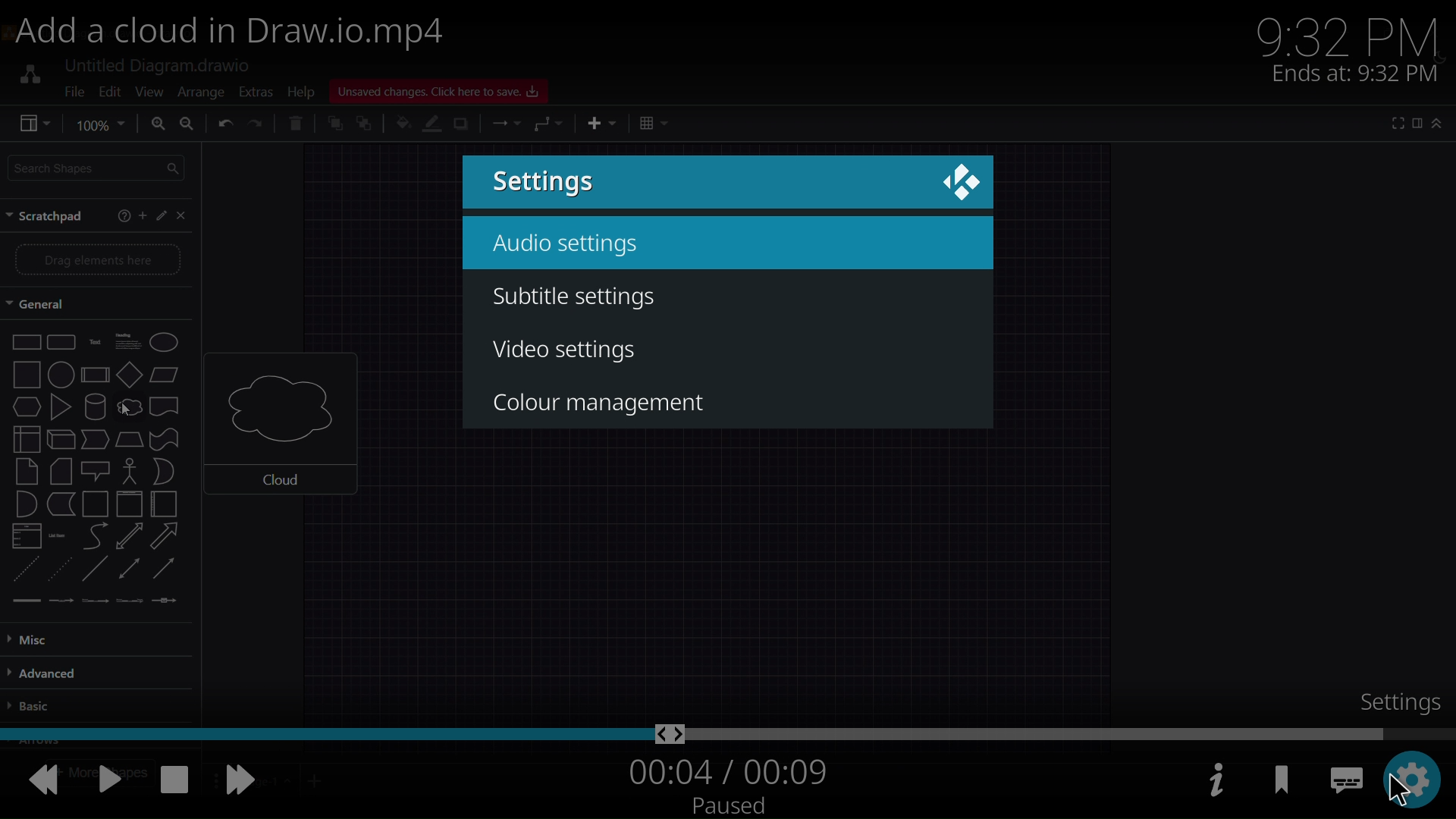 This screenshot has height=819, width=1456. What do you see at coordinates (568, 352) in the screenshot?
I see `video setting` at bounding box center [568, 352].